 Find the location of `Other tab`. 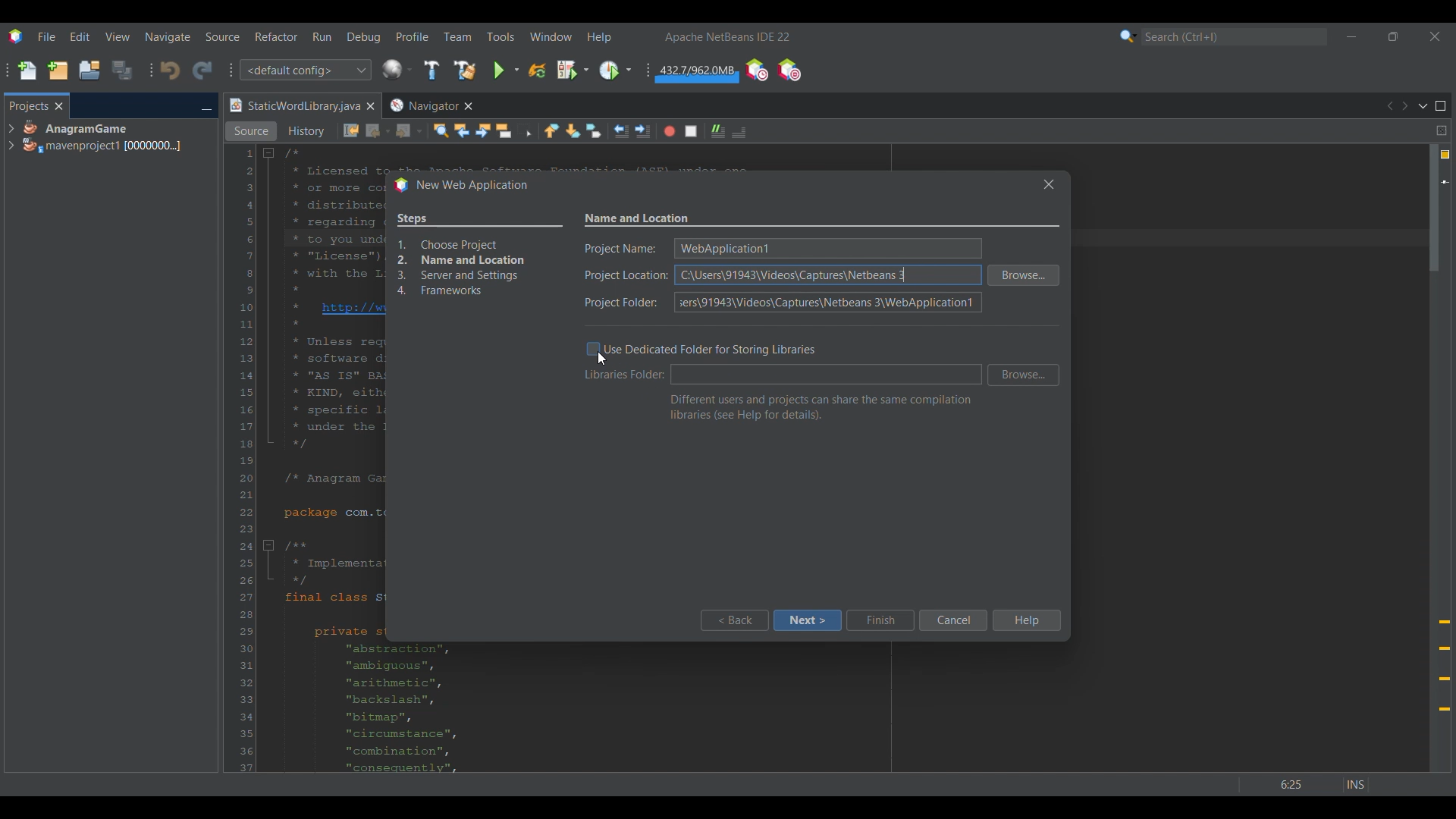

Other tab is located at coordinates (430, 105).